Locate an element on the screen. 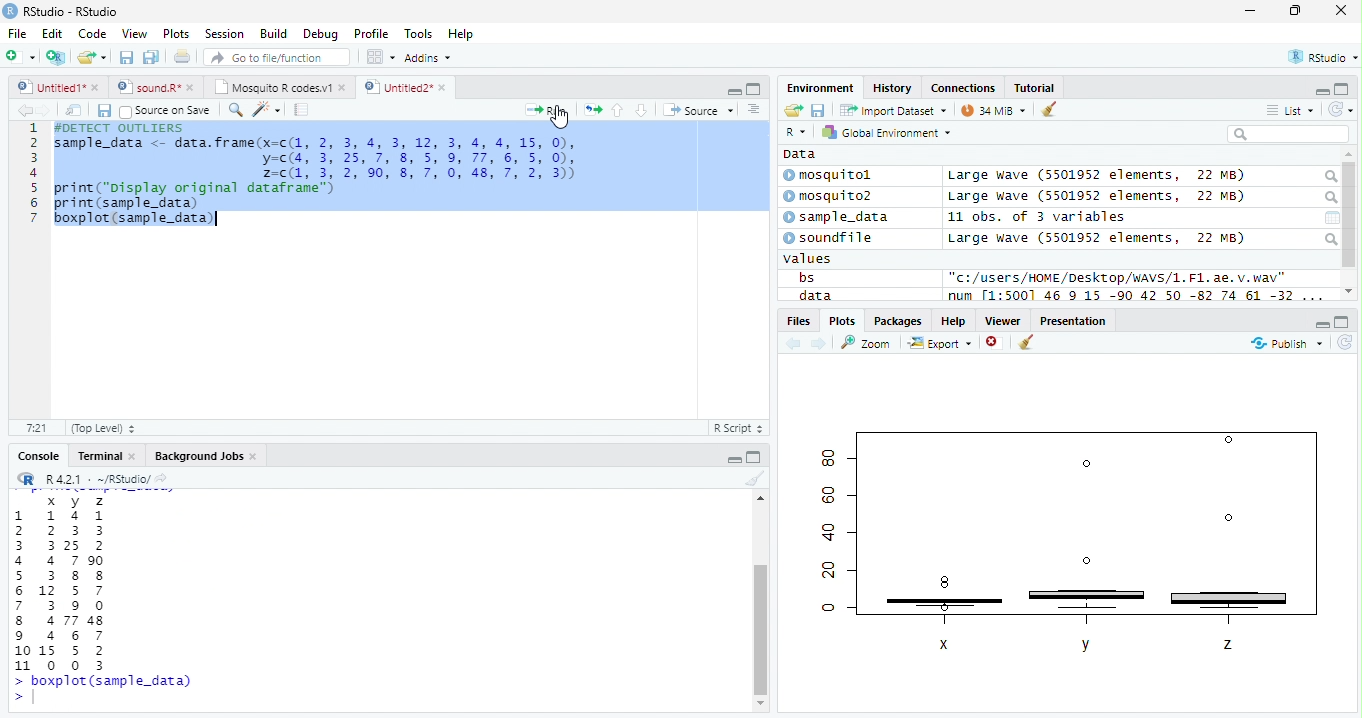  Numbering line is located at coordinates (34, 173).